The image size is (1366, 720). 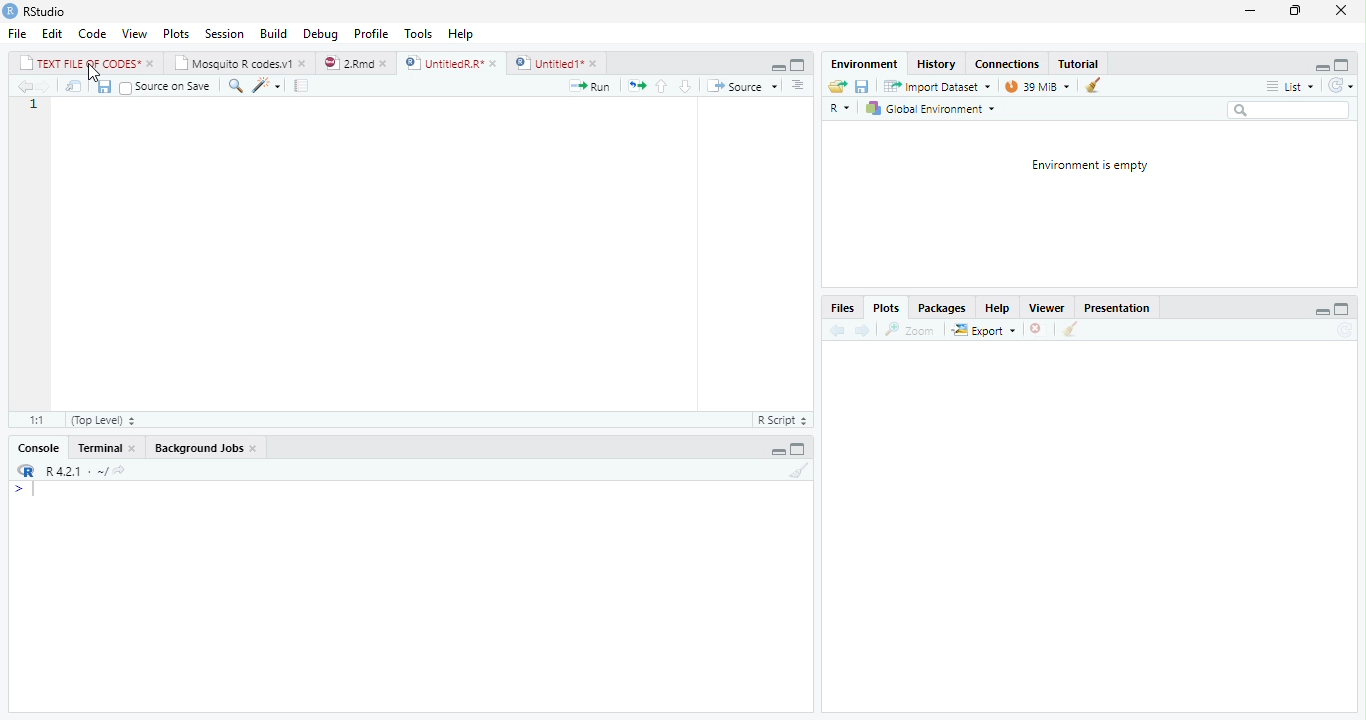 I want to click on Maximize, so click(x=801, y=447).